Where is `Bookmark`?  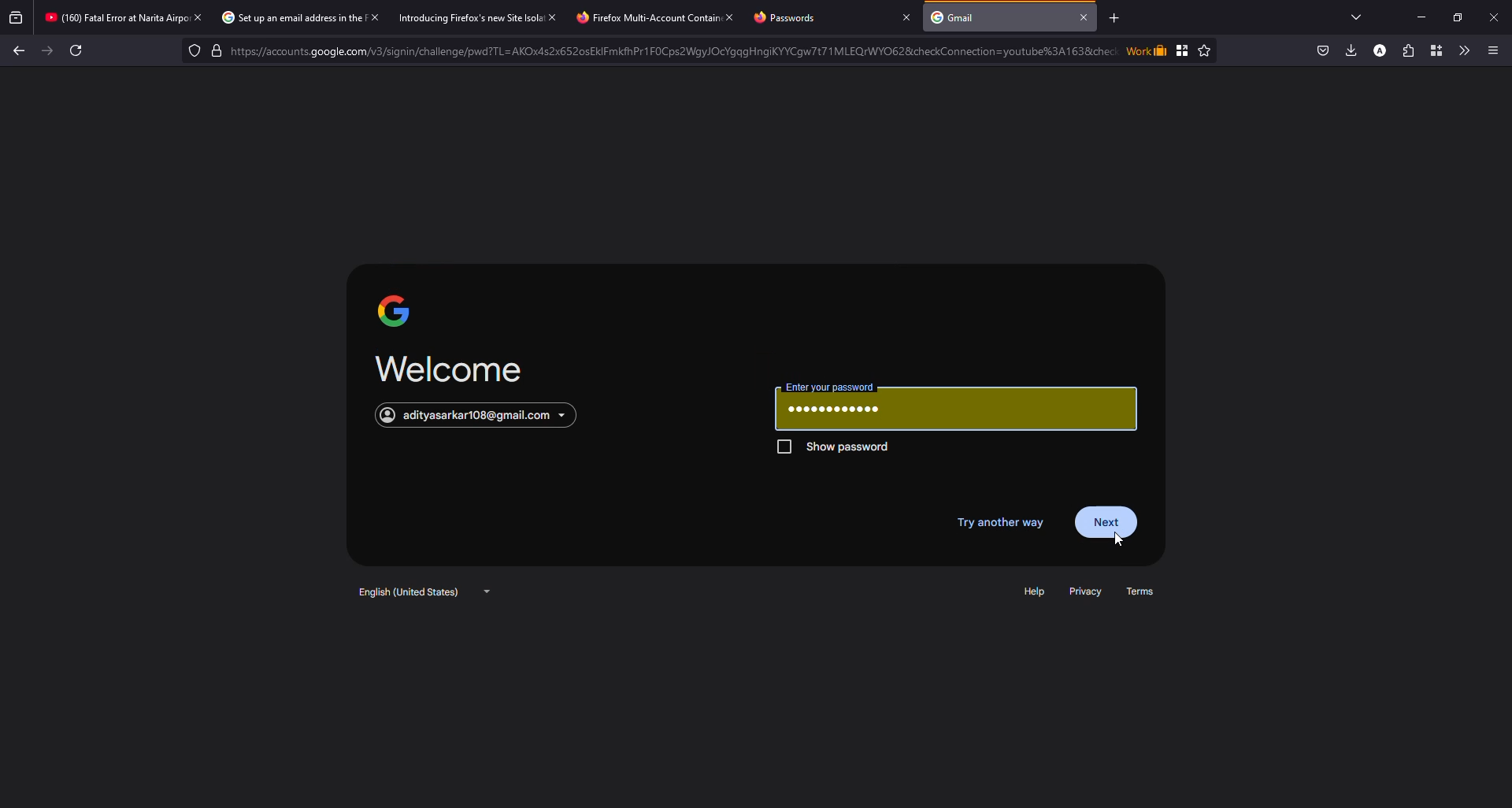 Bookmark is located at coordinates (1184, 50).